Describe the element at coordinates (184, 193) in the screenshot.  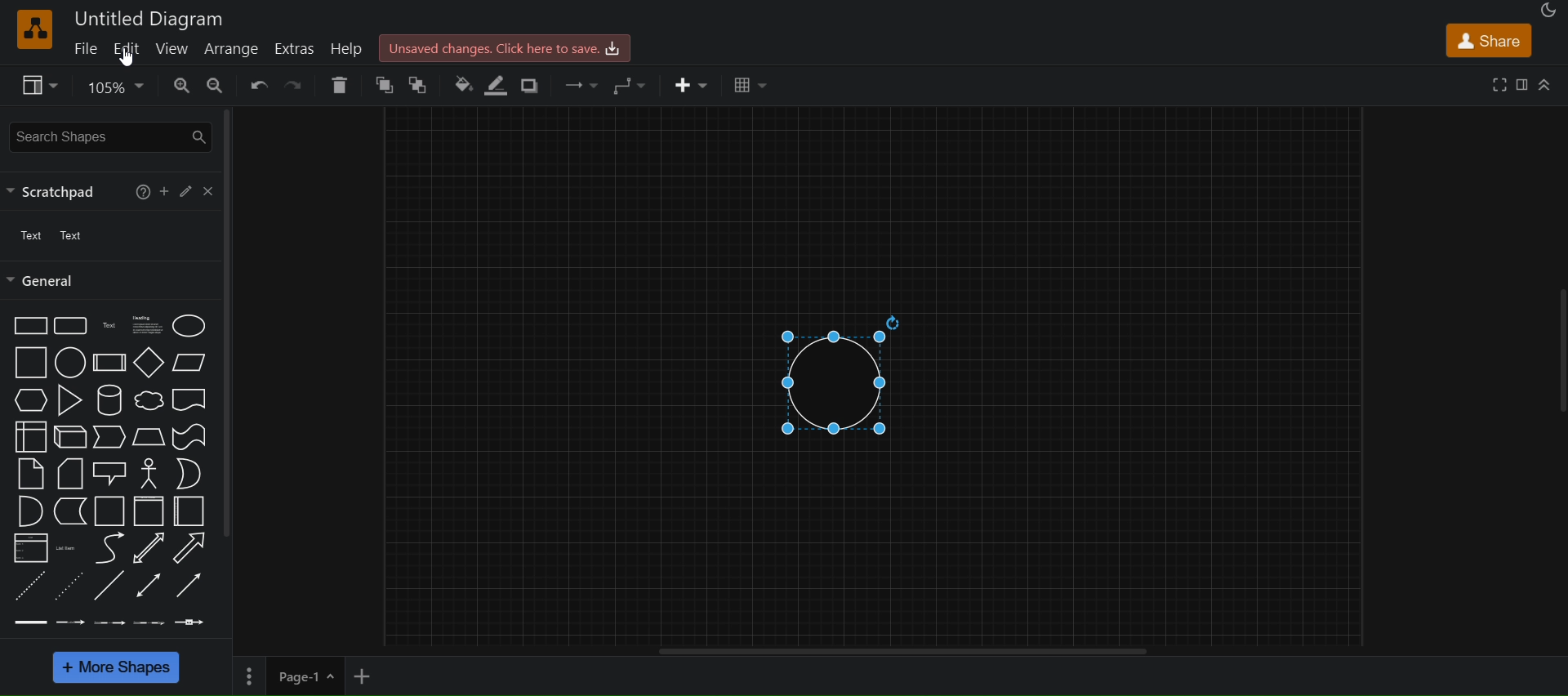
I see `edit` at that location.